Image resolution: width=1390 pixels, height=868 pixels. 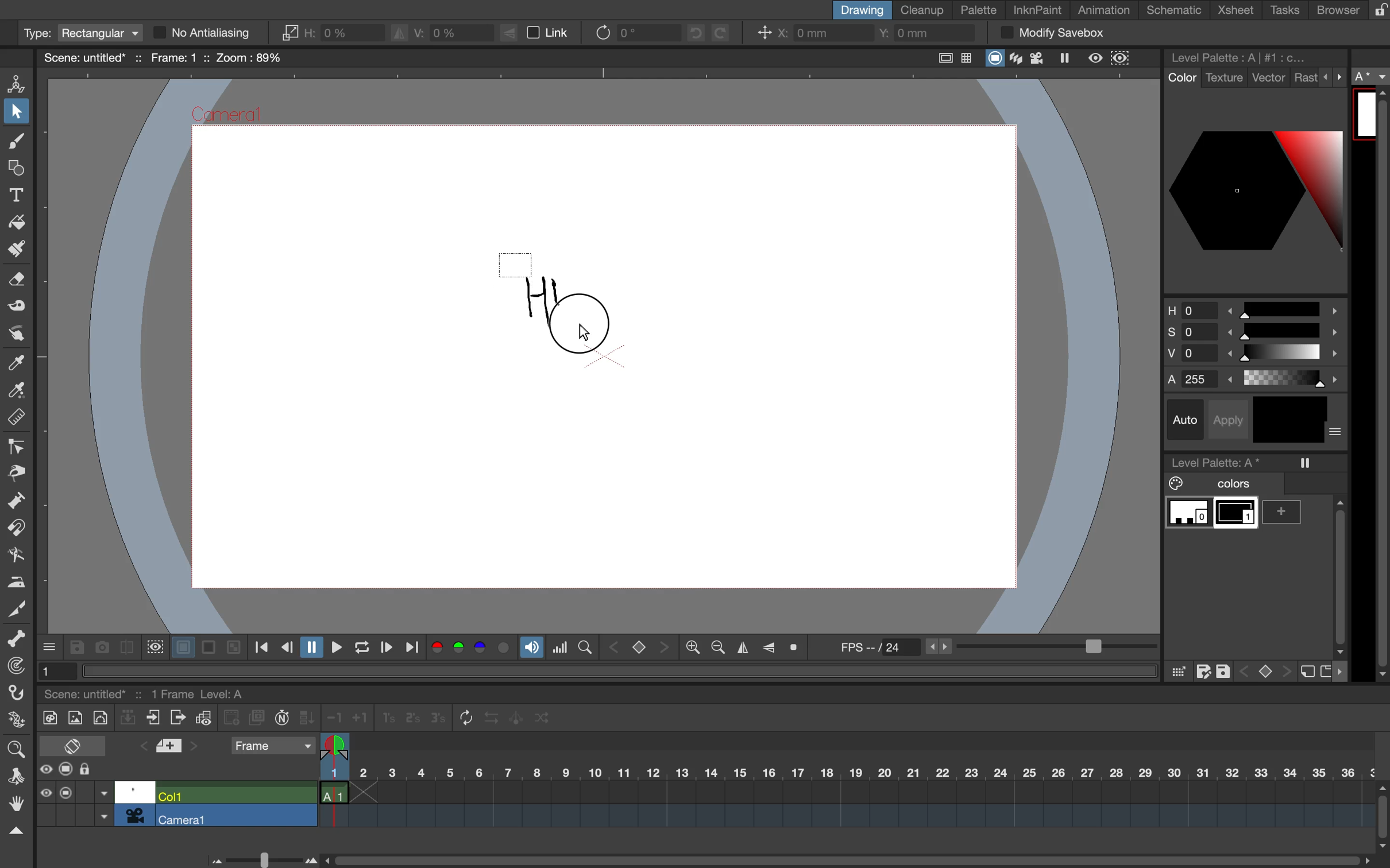 What do you see at coordinates (1189, 514) in the screenshot?
I see `color 0` at bounding box center [1189, 514].